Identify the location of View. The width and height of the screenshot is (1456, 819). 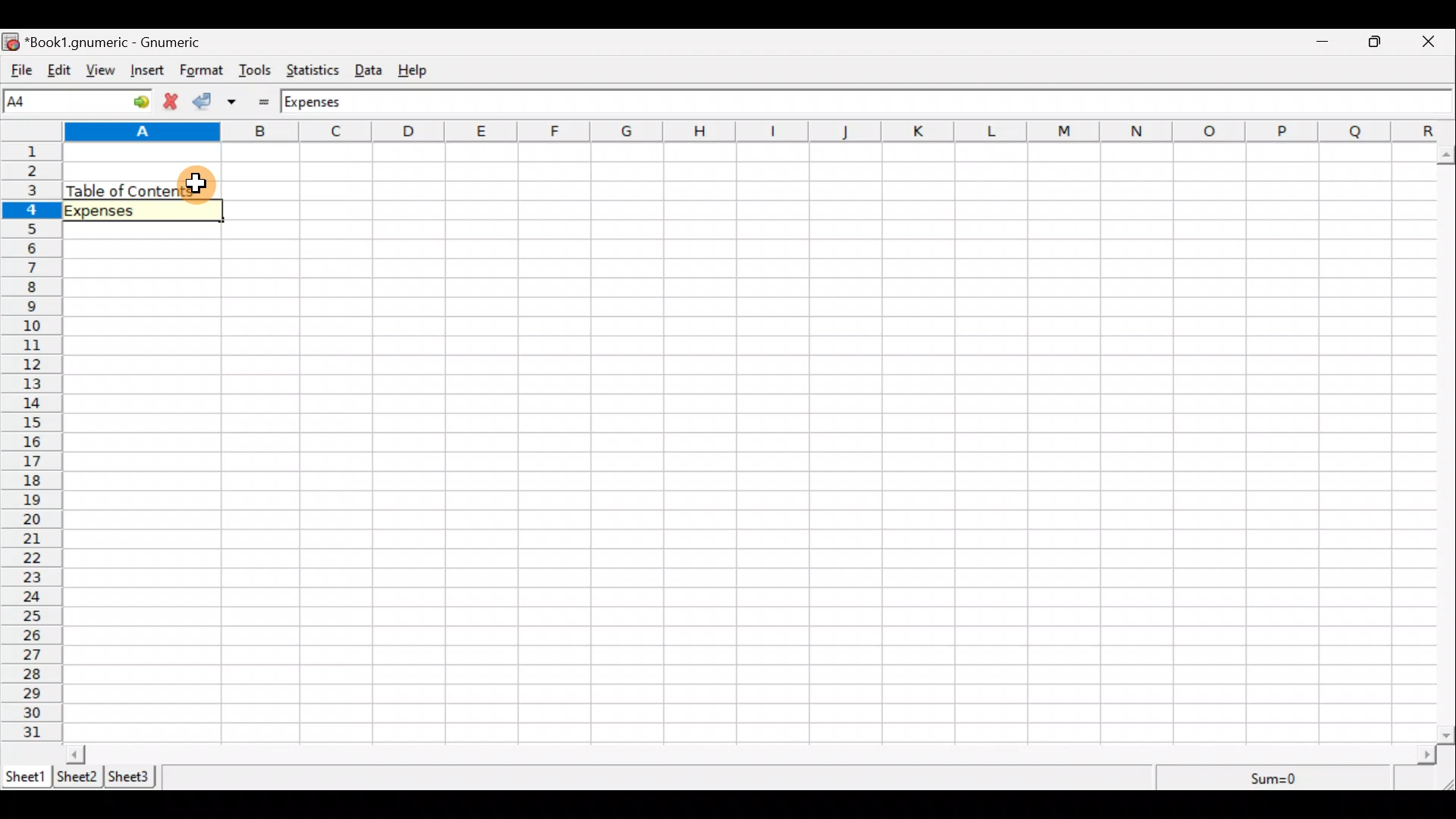
(100, 71).